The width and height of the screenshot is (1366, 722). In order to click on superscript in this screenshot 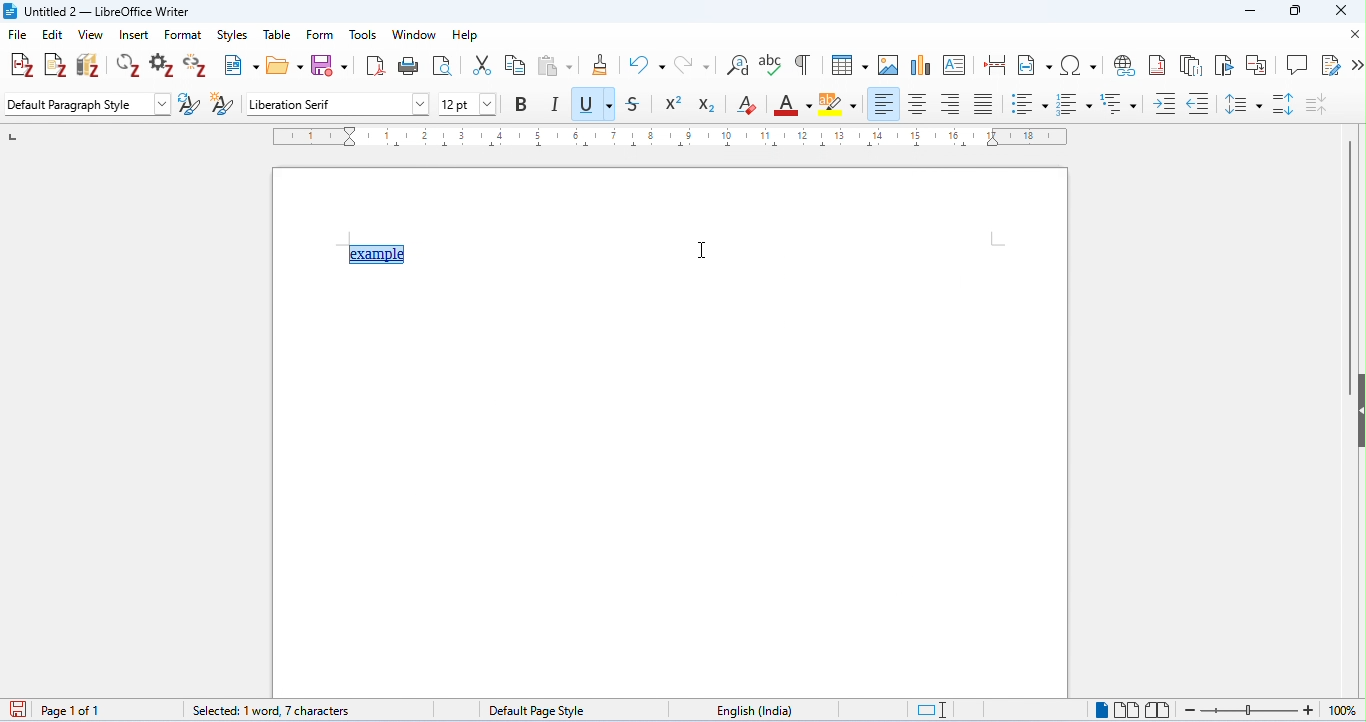, I will do `click(674, 104)`.